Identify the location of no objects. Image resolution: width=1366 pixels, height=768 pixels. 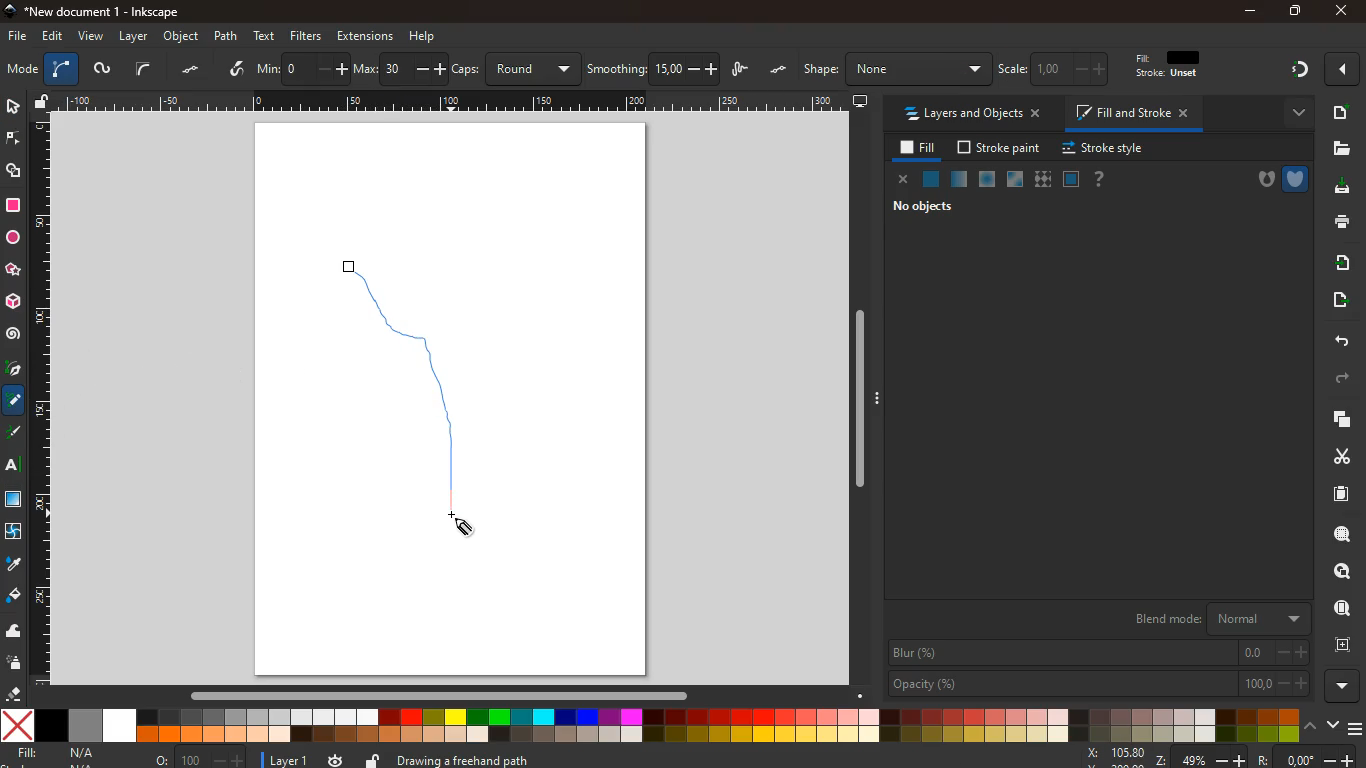
(923, 206).